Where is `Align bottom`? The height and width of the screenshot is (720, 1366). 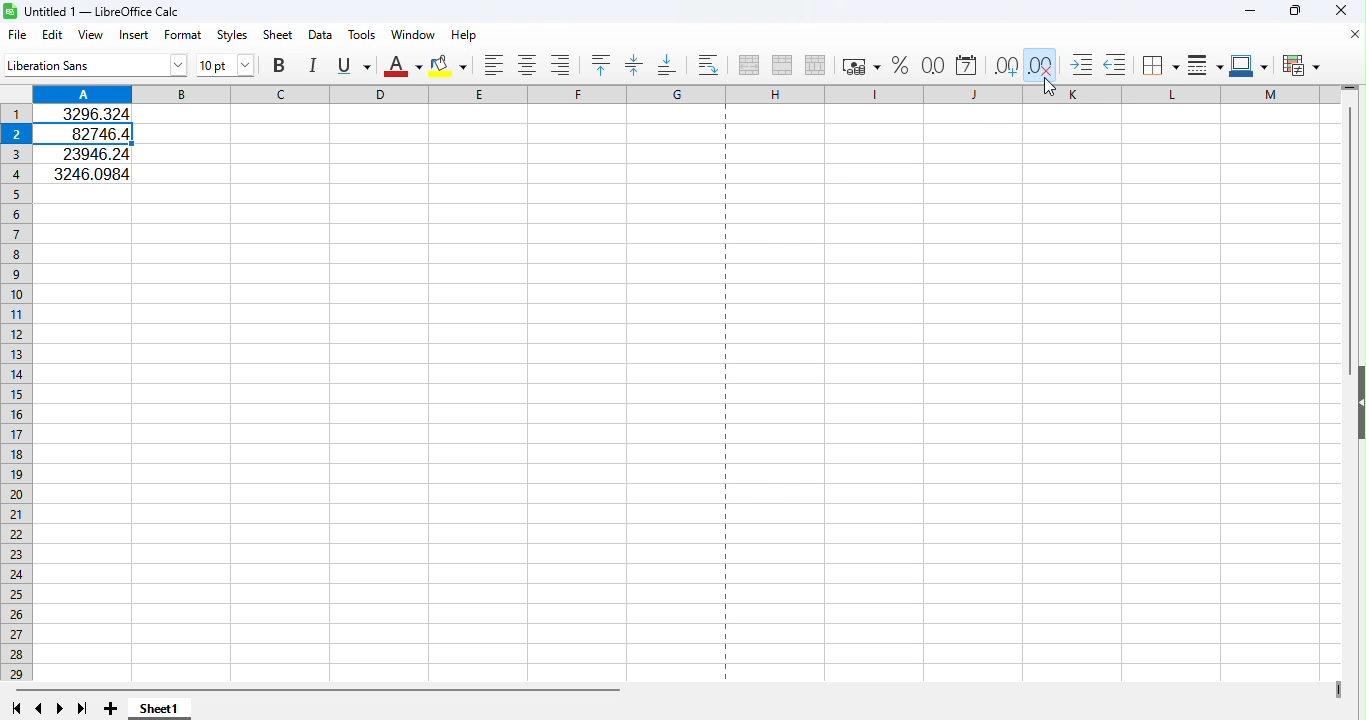
Align bottom is located at coordinates (665, 63).